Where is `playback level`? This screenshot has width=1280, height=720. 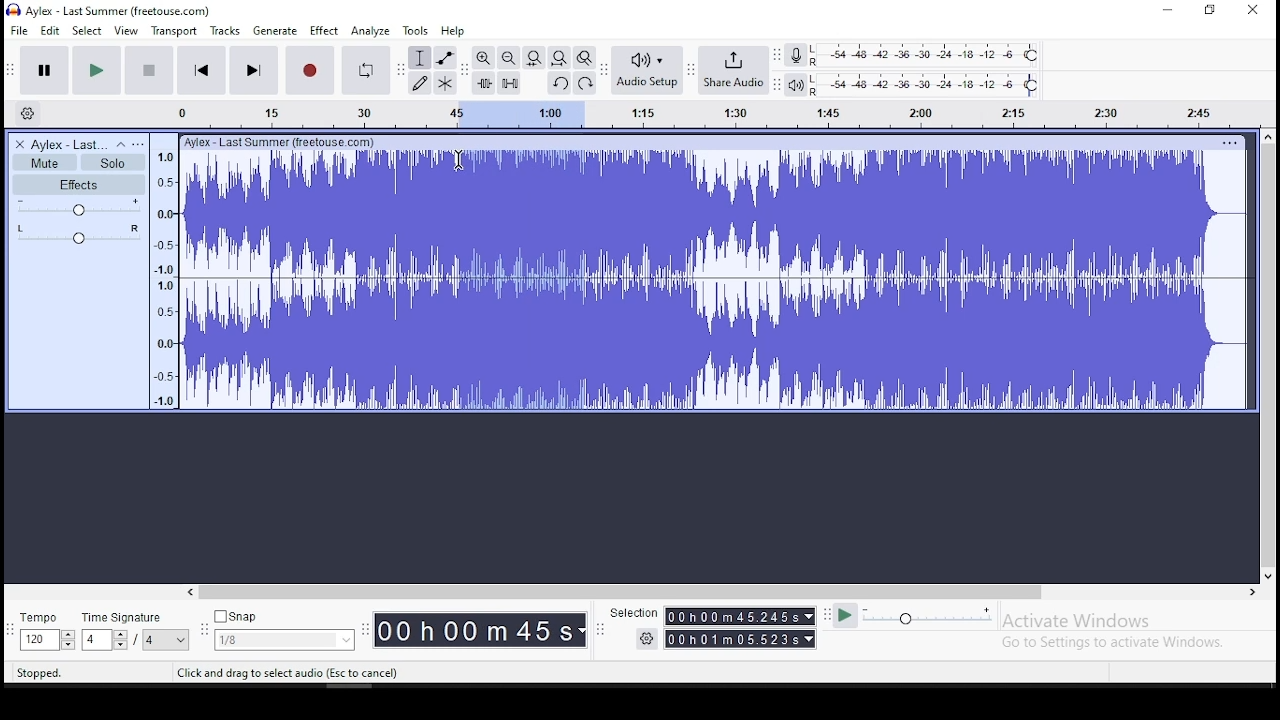
playback level is located at coordinates (934, 83).